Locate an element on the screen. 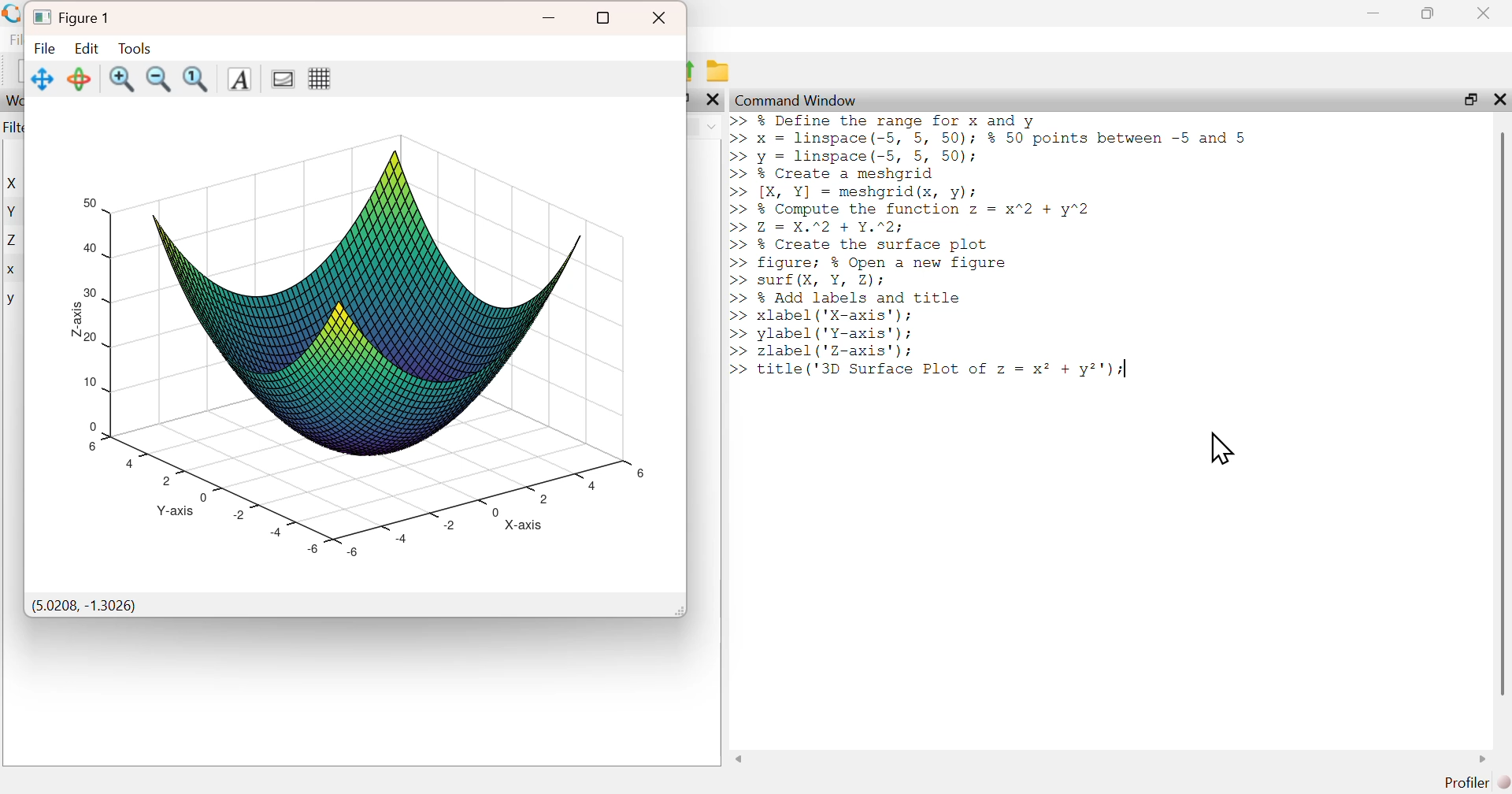 The width and height of the screenshot is (1512, 794). Profiler is located at coordinates (1477, 783).